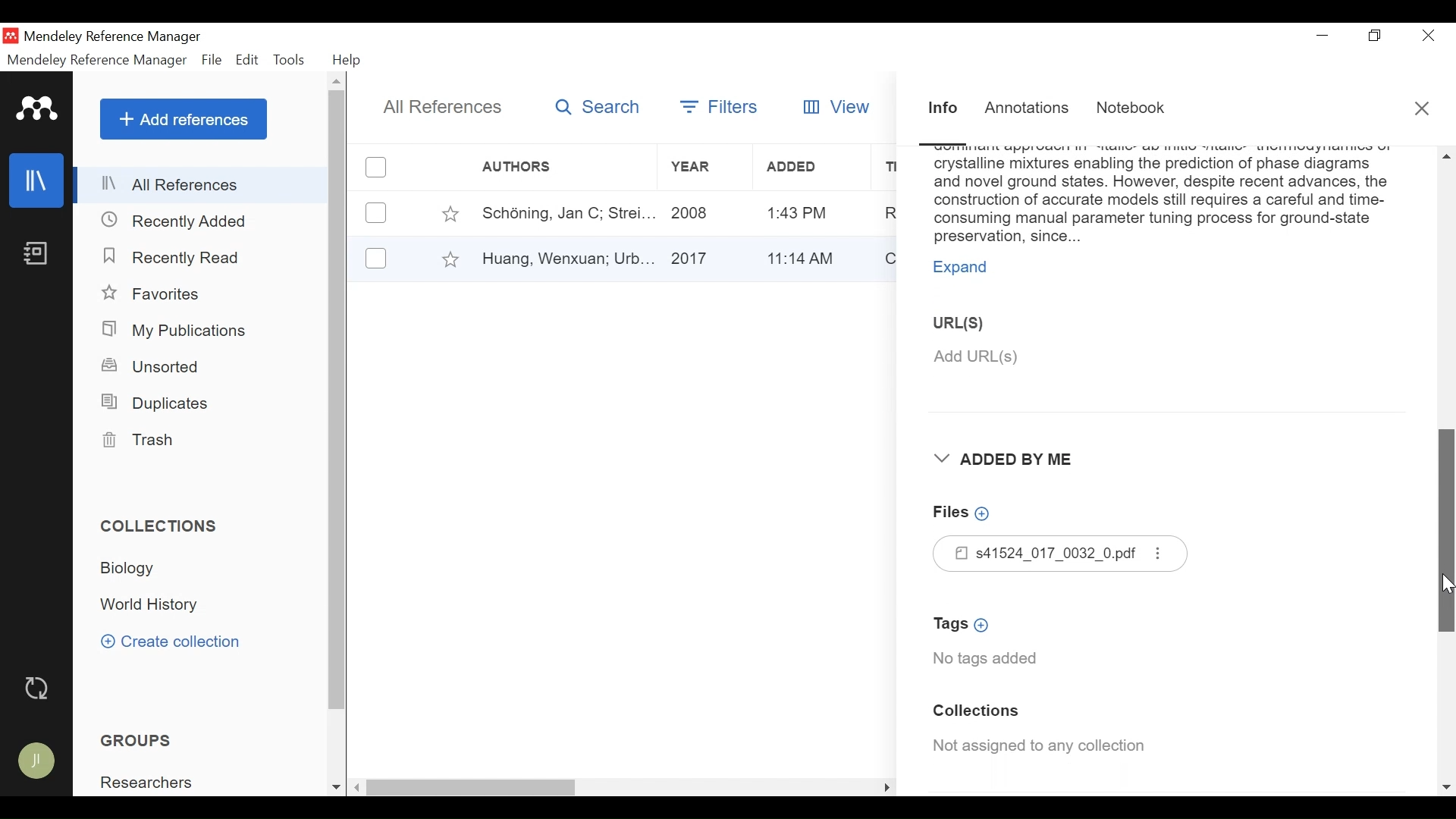 This screenshot has height=819, width=1456. I want to click on Added, so click(808, 212).